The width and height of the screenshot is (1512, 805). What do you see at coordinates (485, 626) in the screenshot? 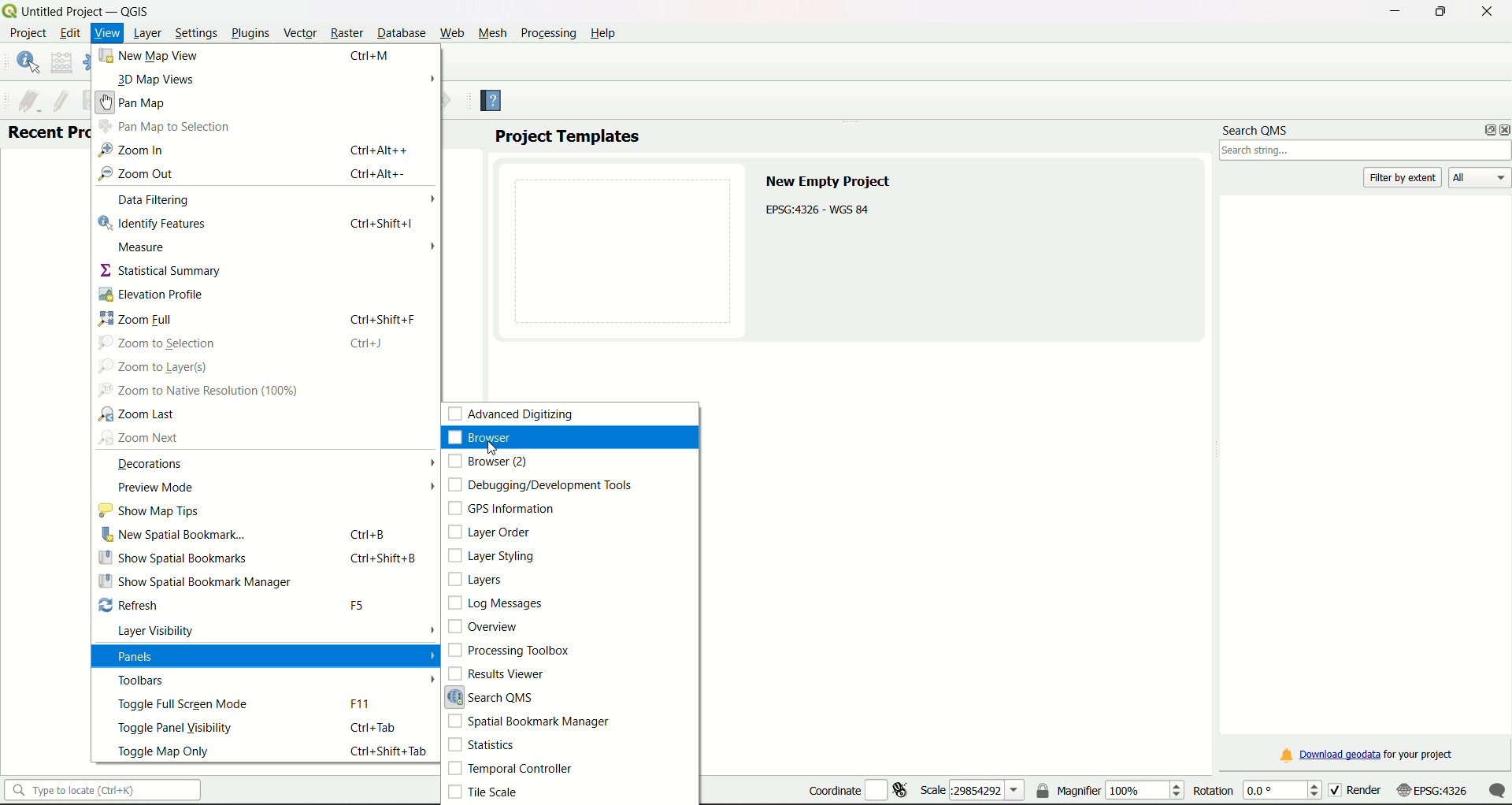
I see `Overview` at bounding box center [485, 626].